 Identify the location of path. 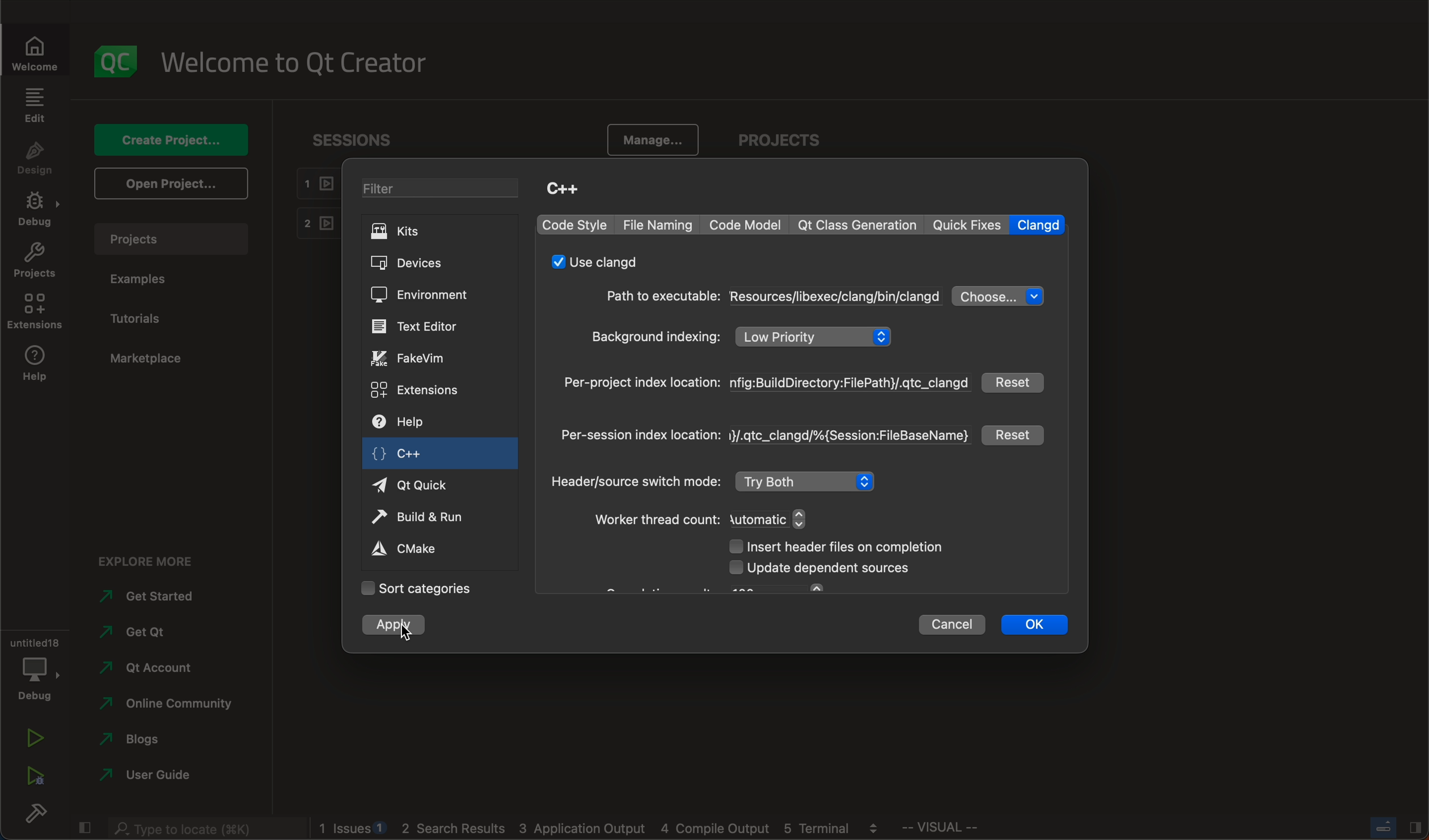
(772, 297).